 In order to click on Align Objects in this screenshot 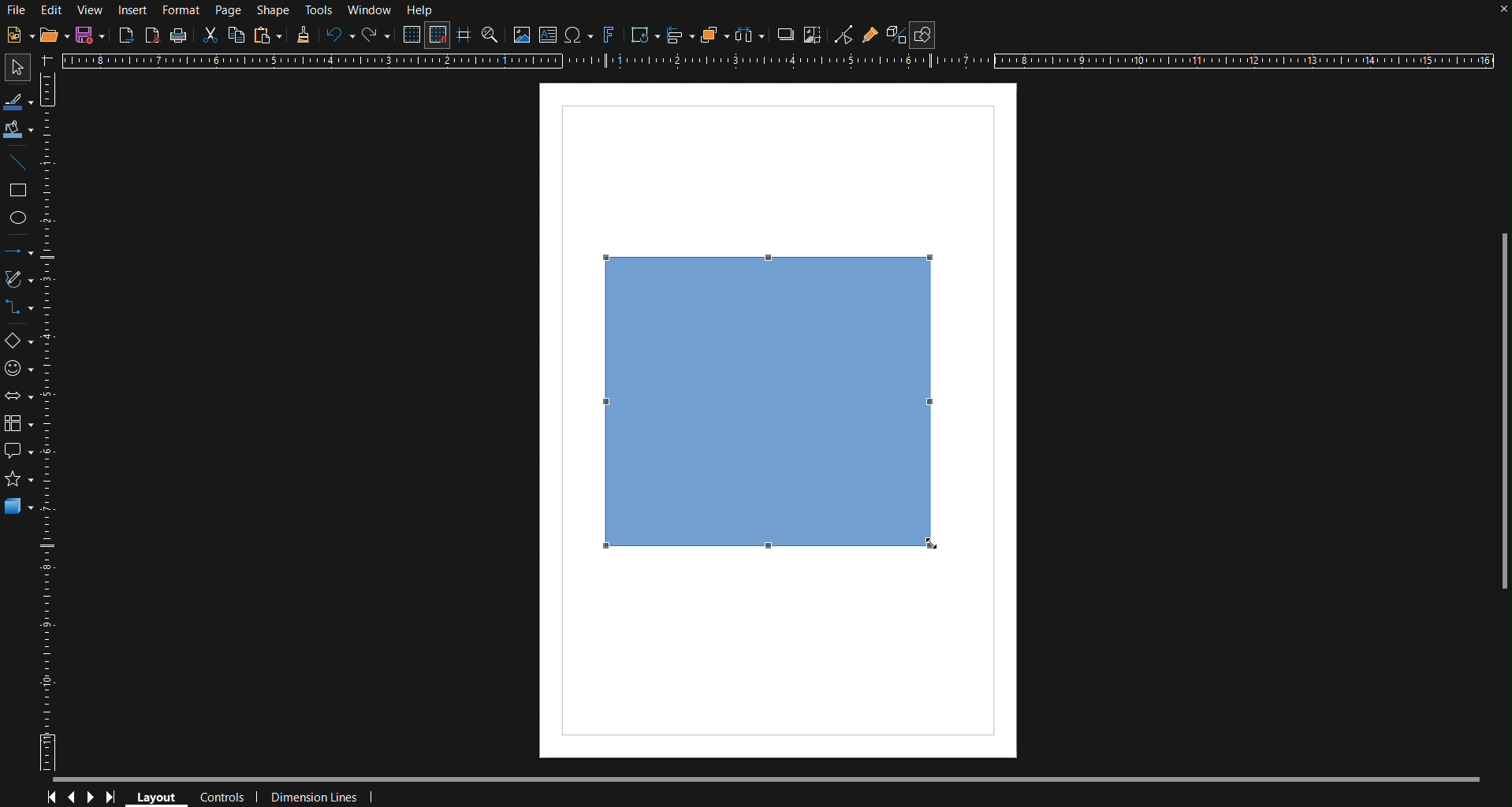, I will do `click(680, 35)`.